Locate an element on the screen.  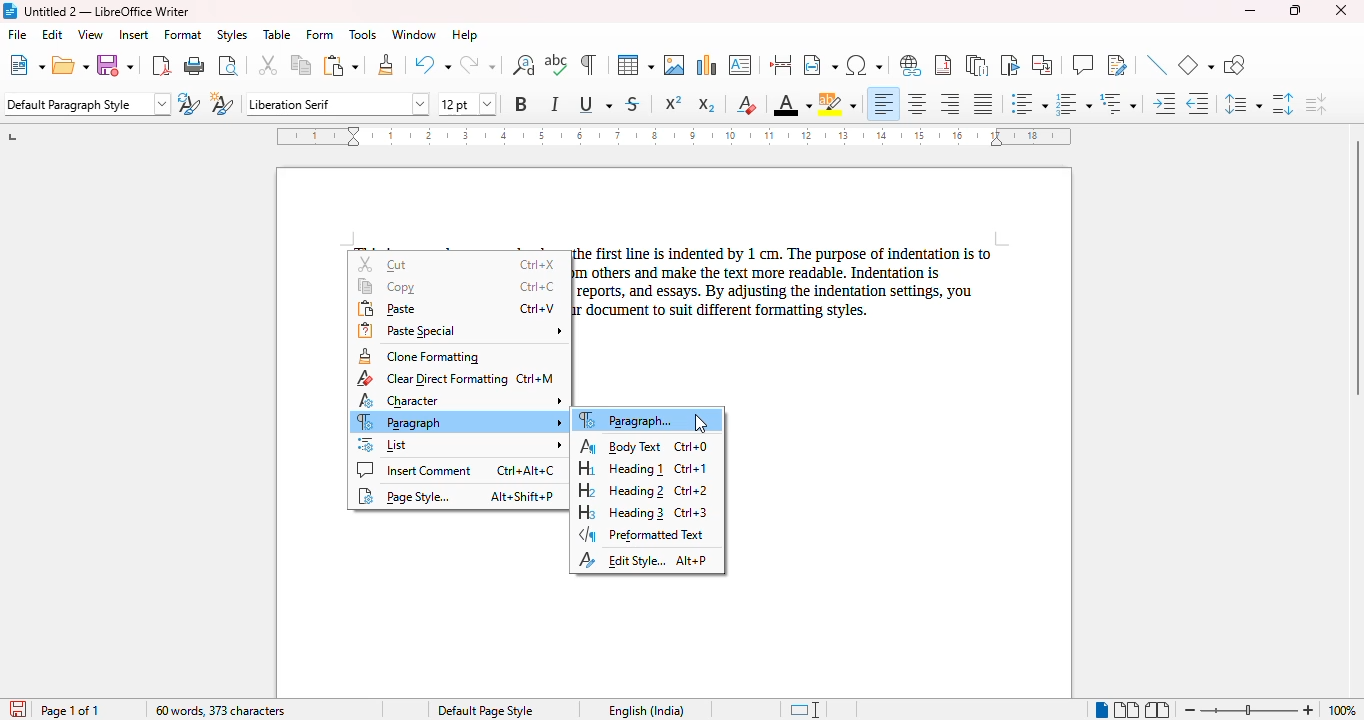
page 1 of 1 is located at coordinates (70, 711).